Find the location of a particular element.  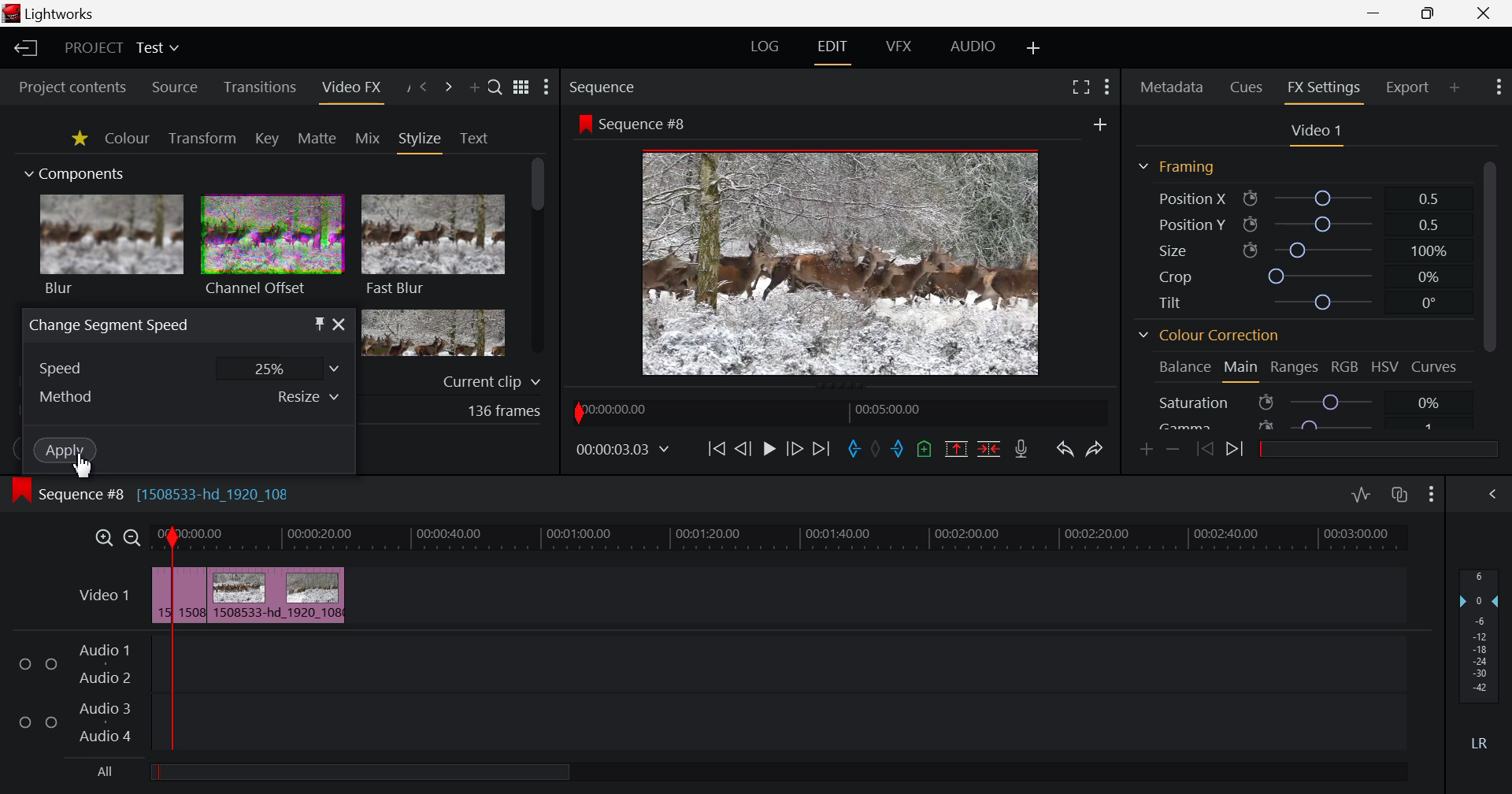

Go Forward is located at coordinates (795, 449).